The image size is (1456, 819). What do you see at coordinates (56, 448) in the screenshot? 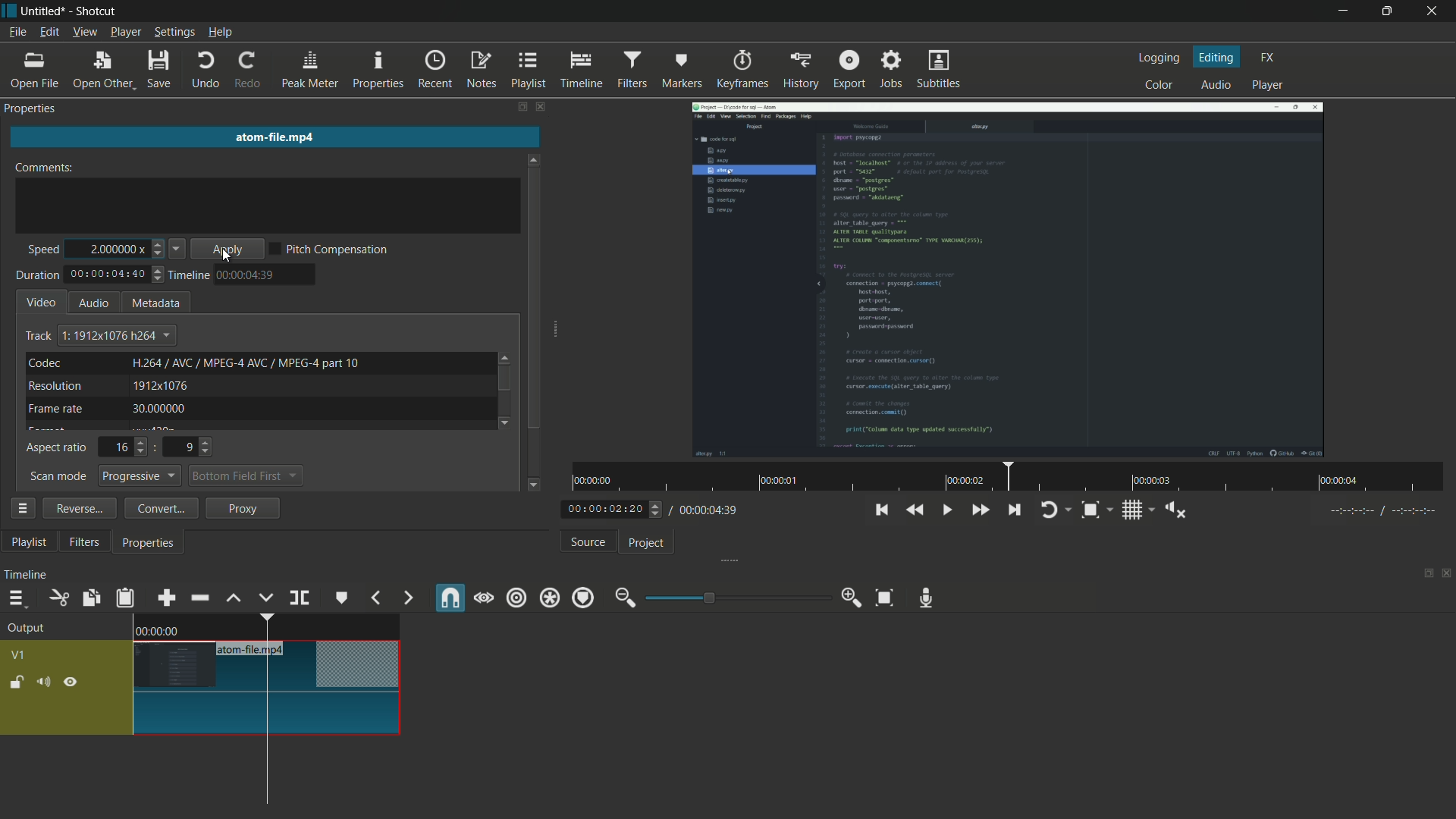
I see `aspect ratio` at bounding box center [56, 448].